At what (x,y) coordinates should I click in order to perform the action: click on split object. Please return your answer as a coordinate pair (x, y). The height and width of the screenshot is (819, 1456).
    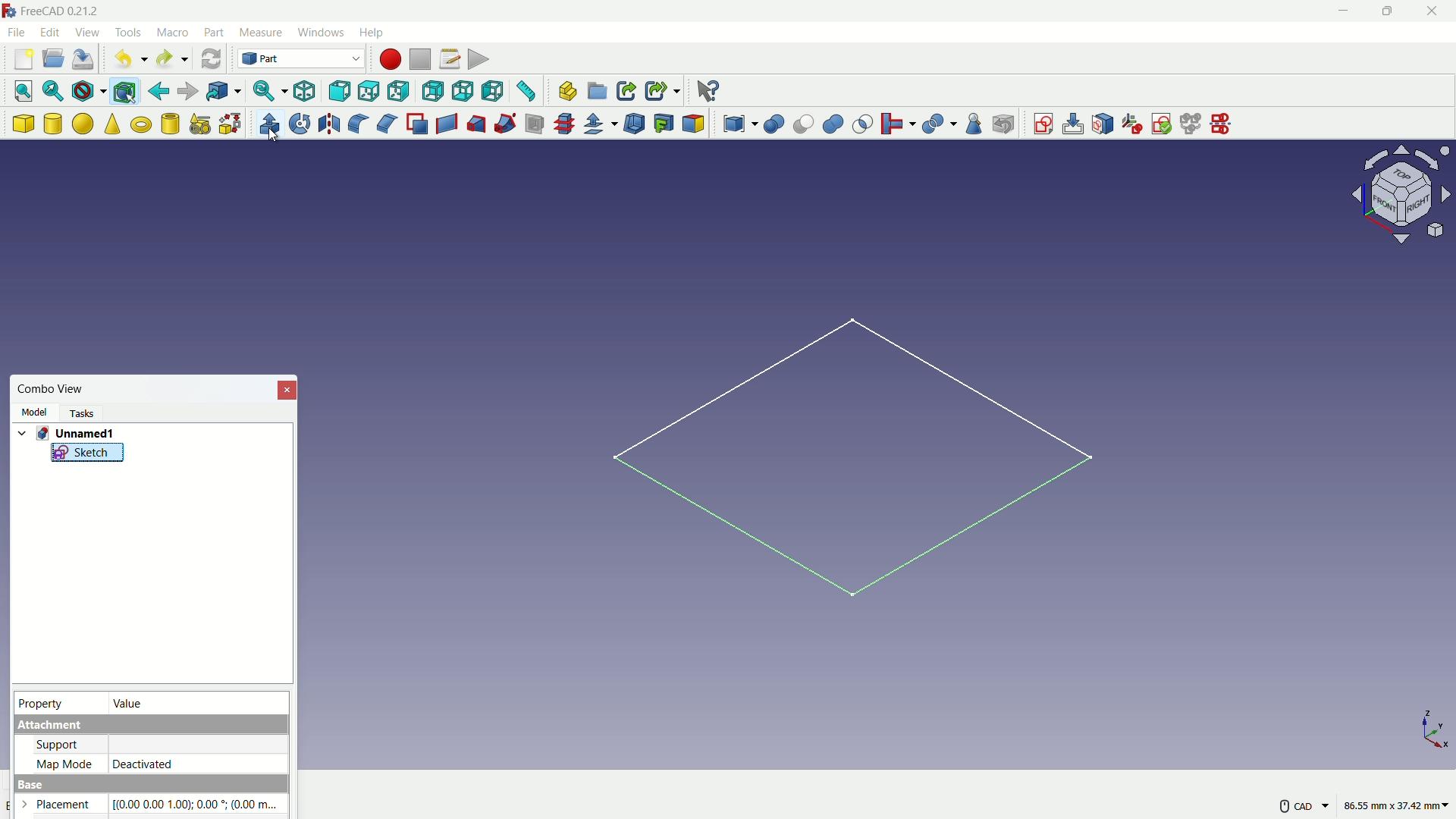
    Looking at the image, I should click on (940, 122).